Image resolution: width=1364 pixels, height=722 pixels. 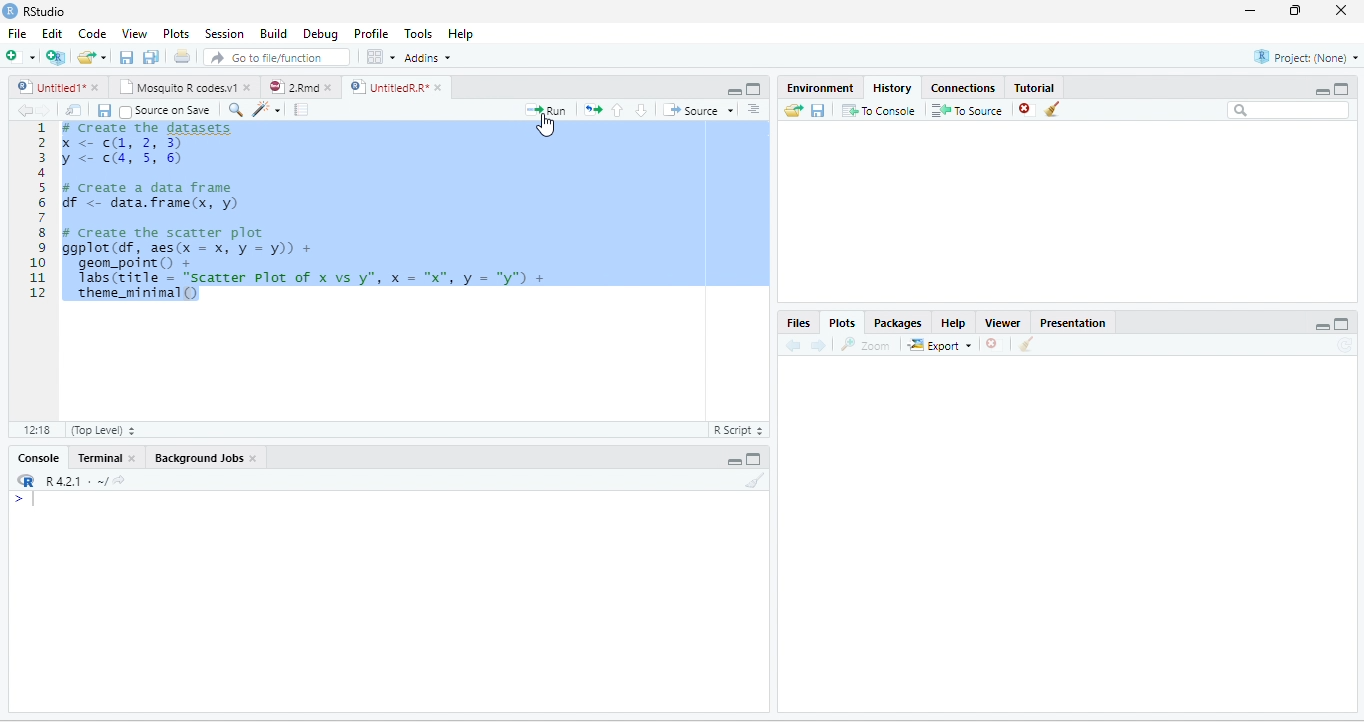 I want to click on Addins, so click(x=426, y=57).